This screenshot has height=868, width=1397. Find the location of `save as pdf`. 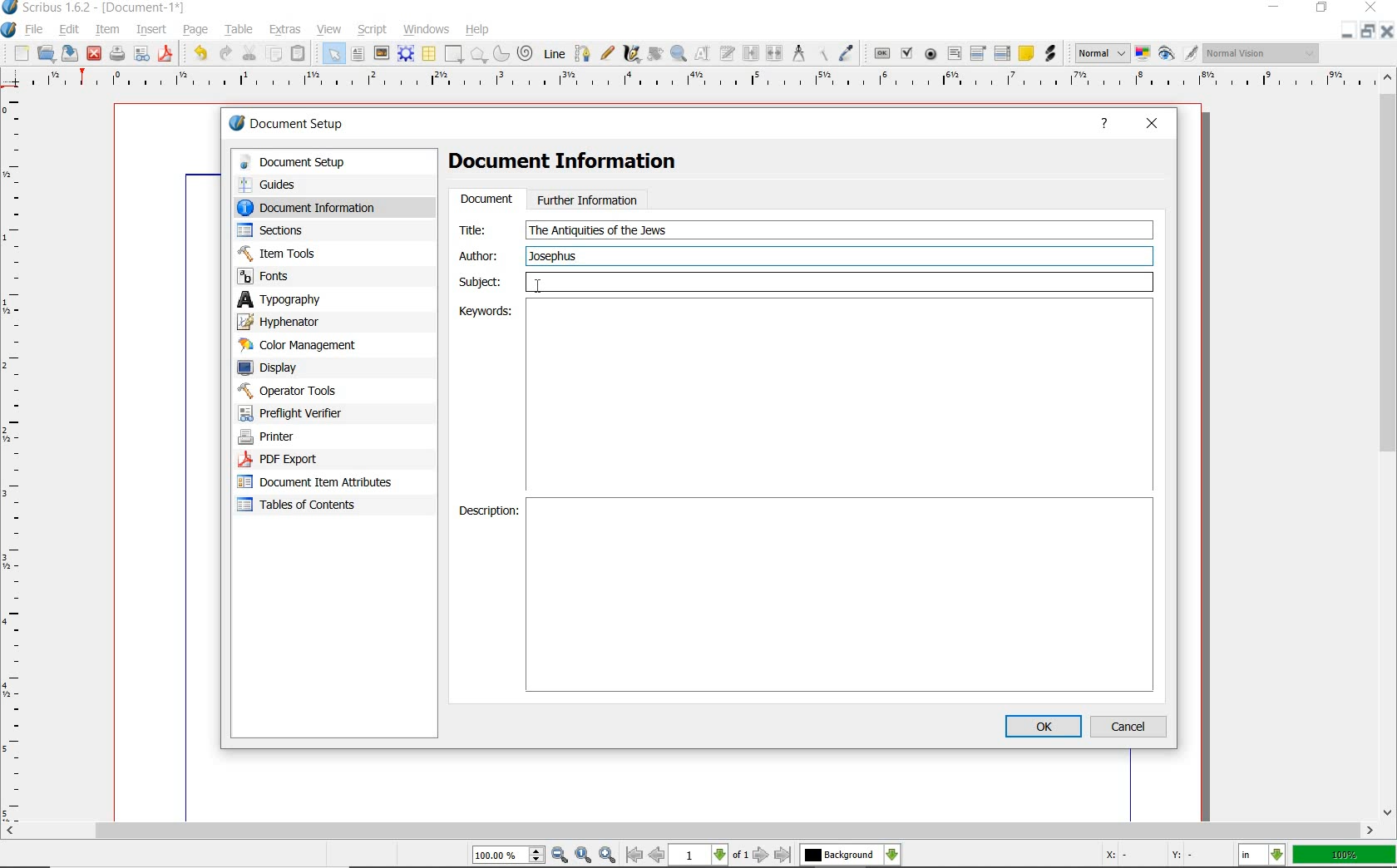

save as pdf is located at coordinates (165, 56).